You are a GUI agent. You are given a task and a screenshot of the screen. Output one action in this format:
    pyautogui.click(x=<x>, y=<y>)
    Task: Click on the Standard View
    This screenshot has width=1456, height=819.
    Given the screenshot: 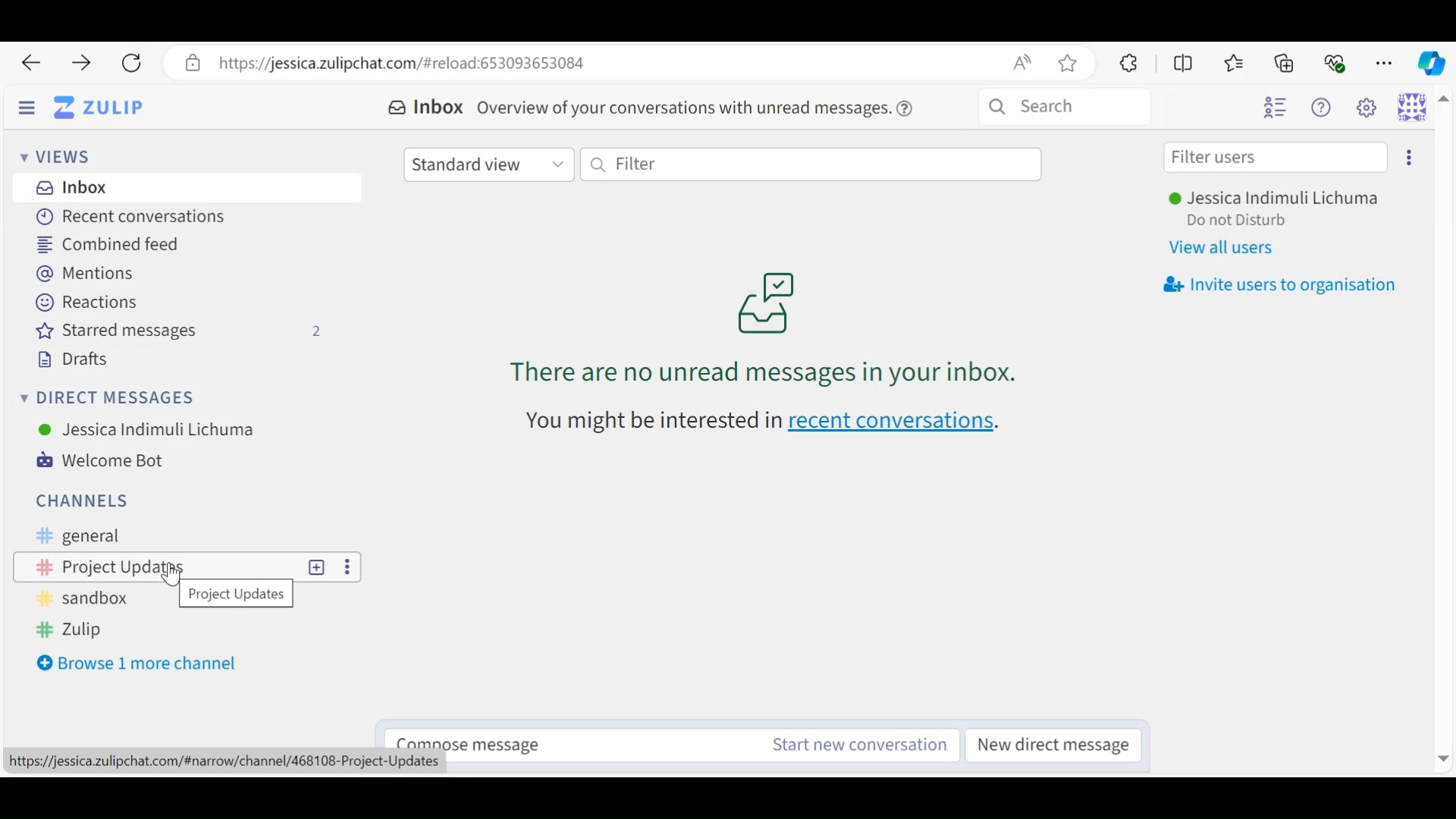 What is the action you would take?
    pyautogui.click(x=490, y=163)
    